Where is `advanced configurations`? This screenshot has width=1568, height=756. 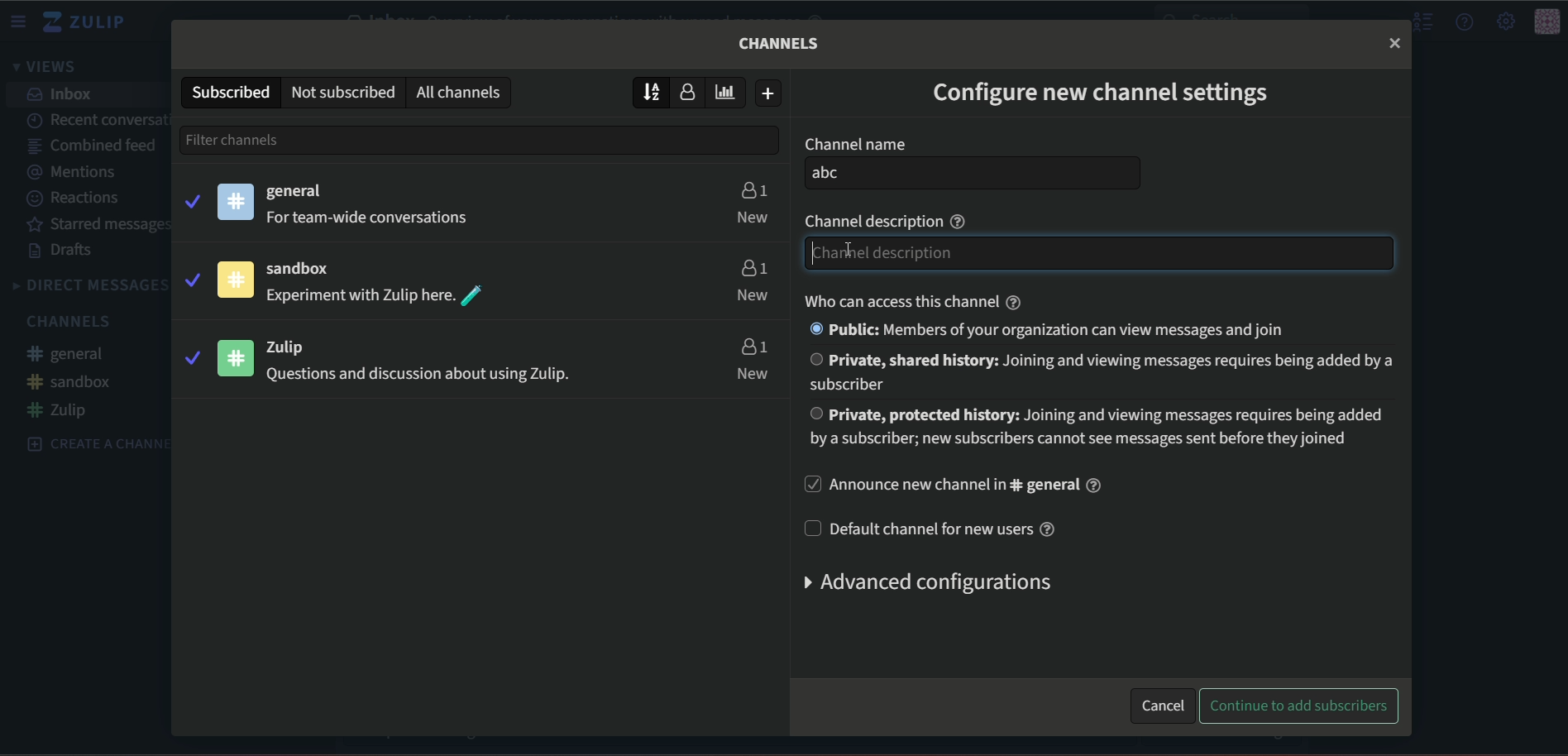
advanced configurations is located at coordinates (923, 582).